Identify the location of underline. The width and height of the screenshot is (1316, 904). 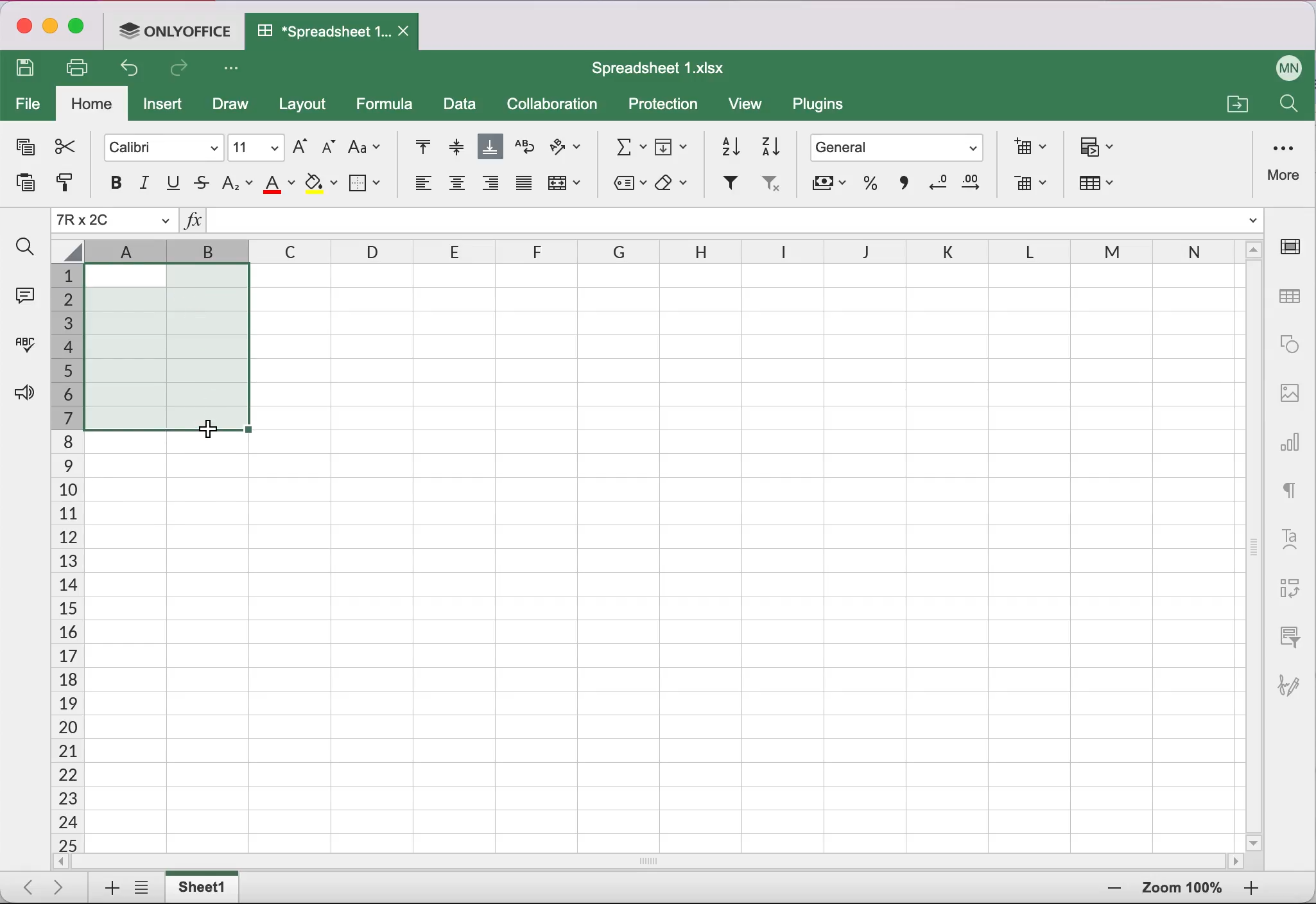
(175, 184).